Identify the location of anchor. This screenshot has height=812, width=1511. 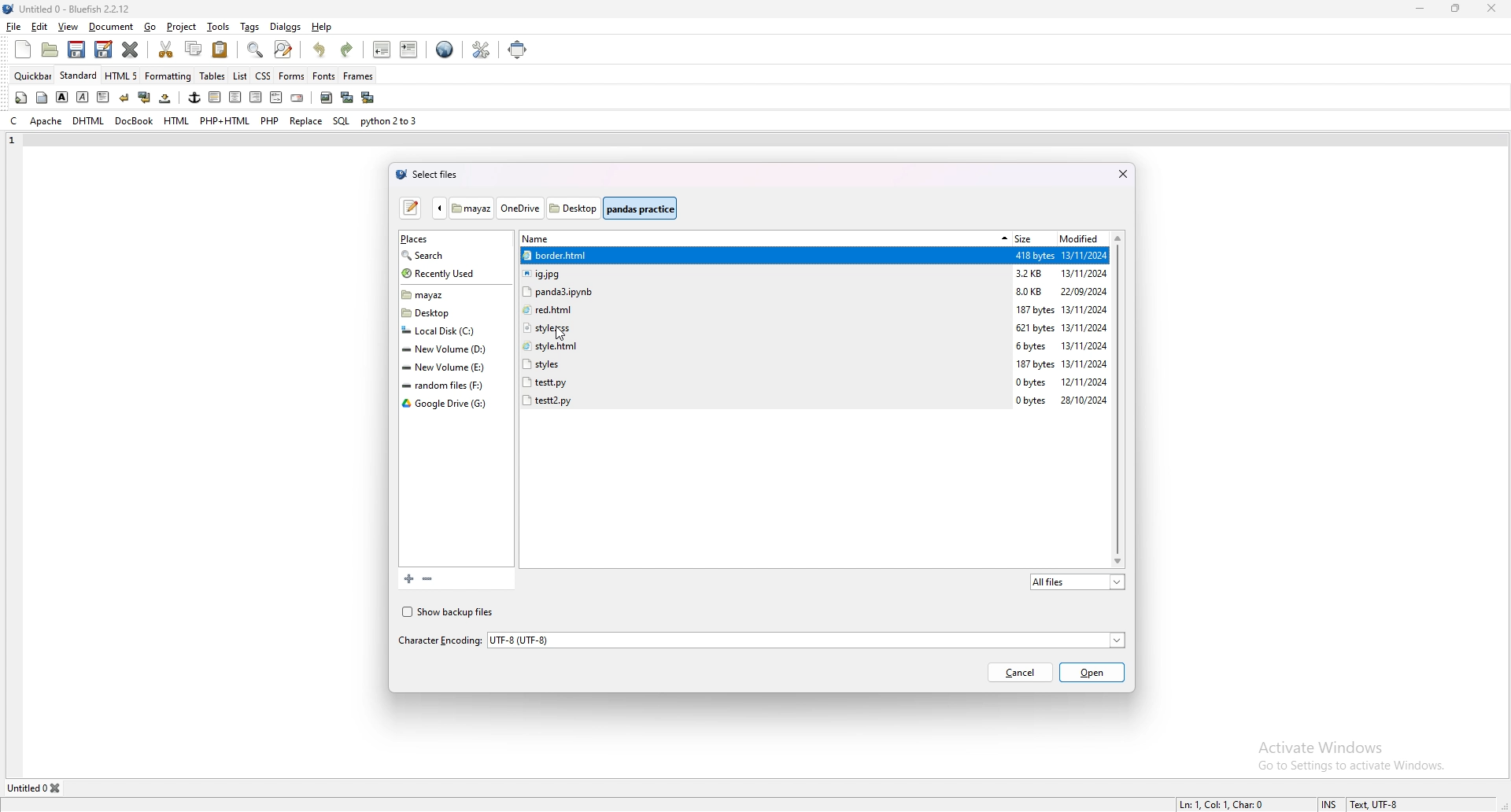
(194, 98).